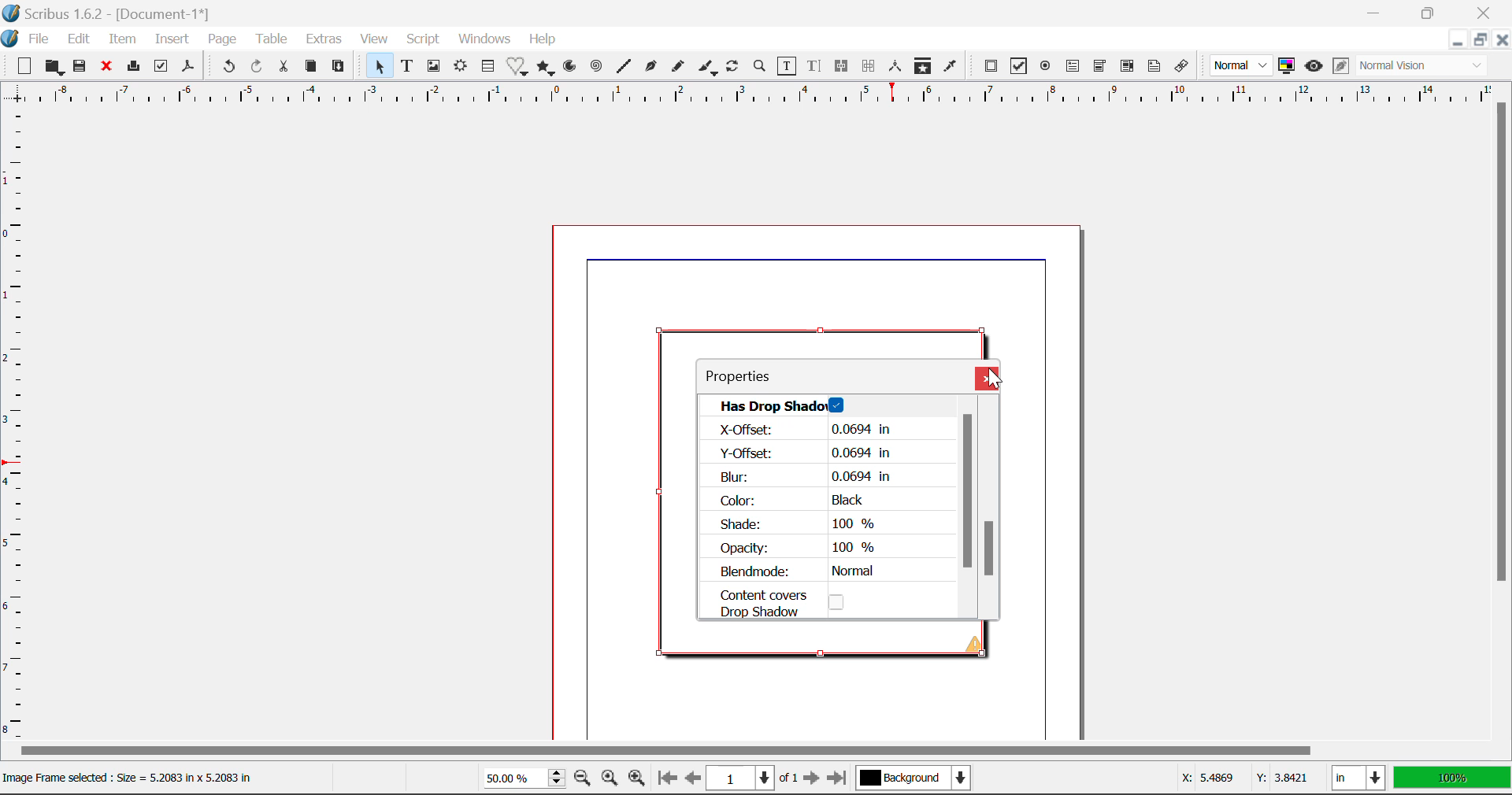  What do you see at coordinates (408, 67) in the screenshot?
I see `Text Frame` at bounding box center [408, 67].